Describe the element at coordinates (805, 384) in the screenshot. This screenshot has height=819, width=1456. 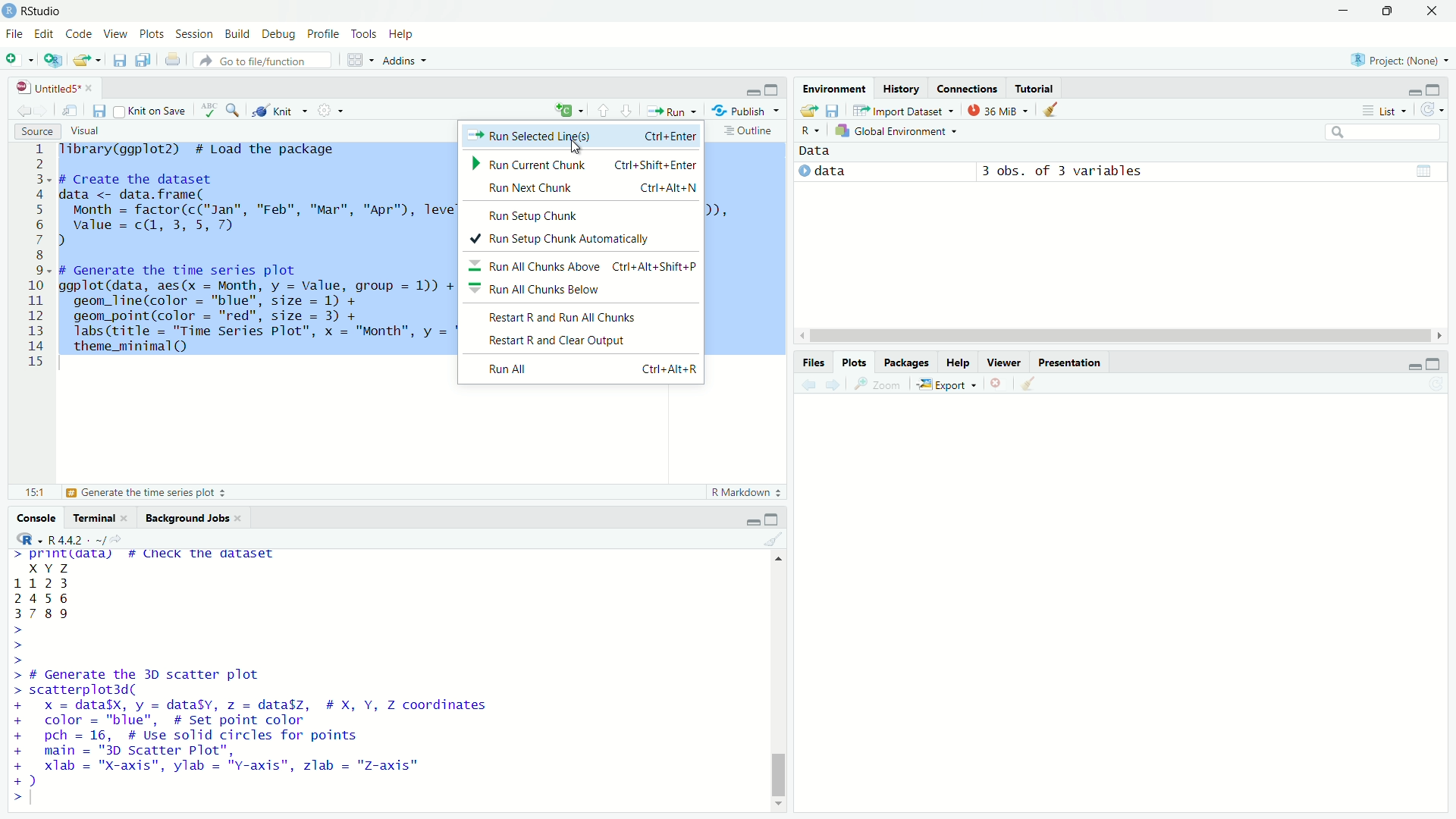
I see `previous plot` at that location.